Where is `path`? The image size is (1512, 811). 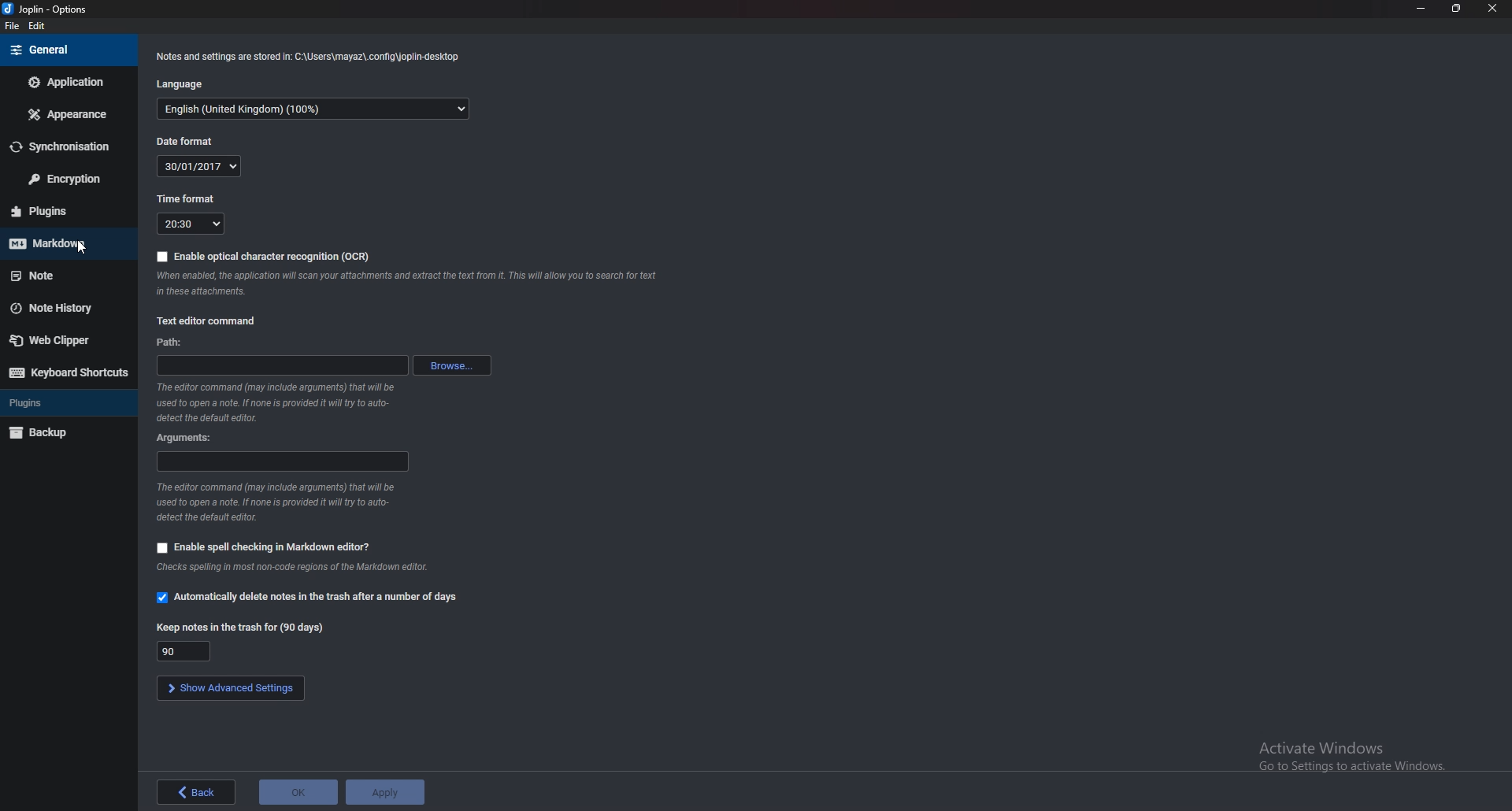
path is located at coordinates (283, 365).